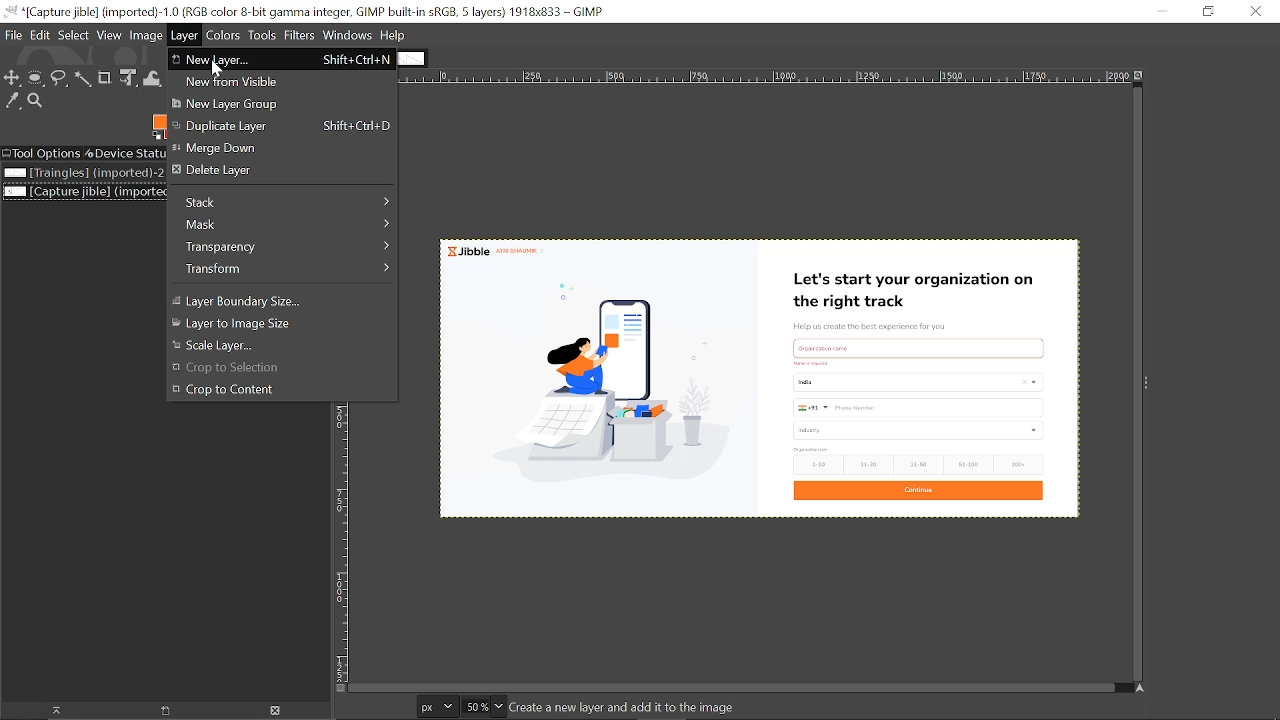 This screenshot has width=1280, height=720. I want to click on Scale layer, so click(277, 344).